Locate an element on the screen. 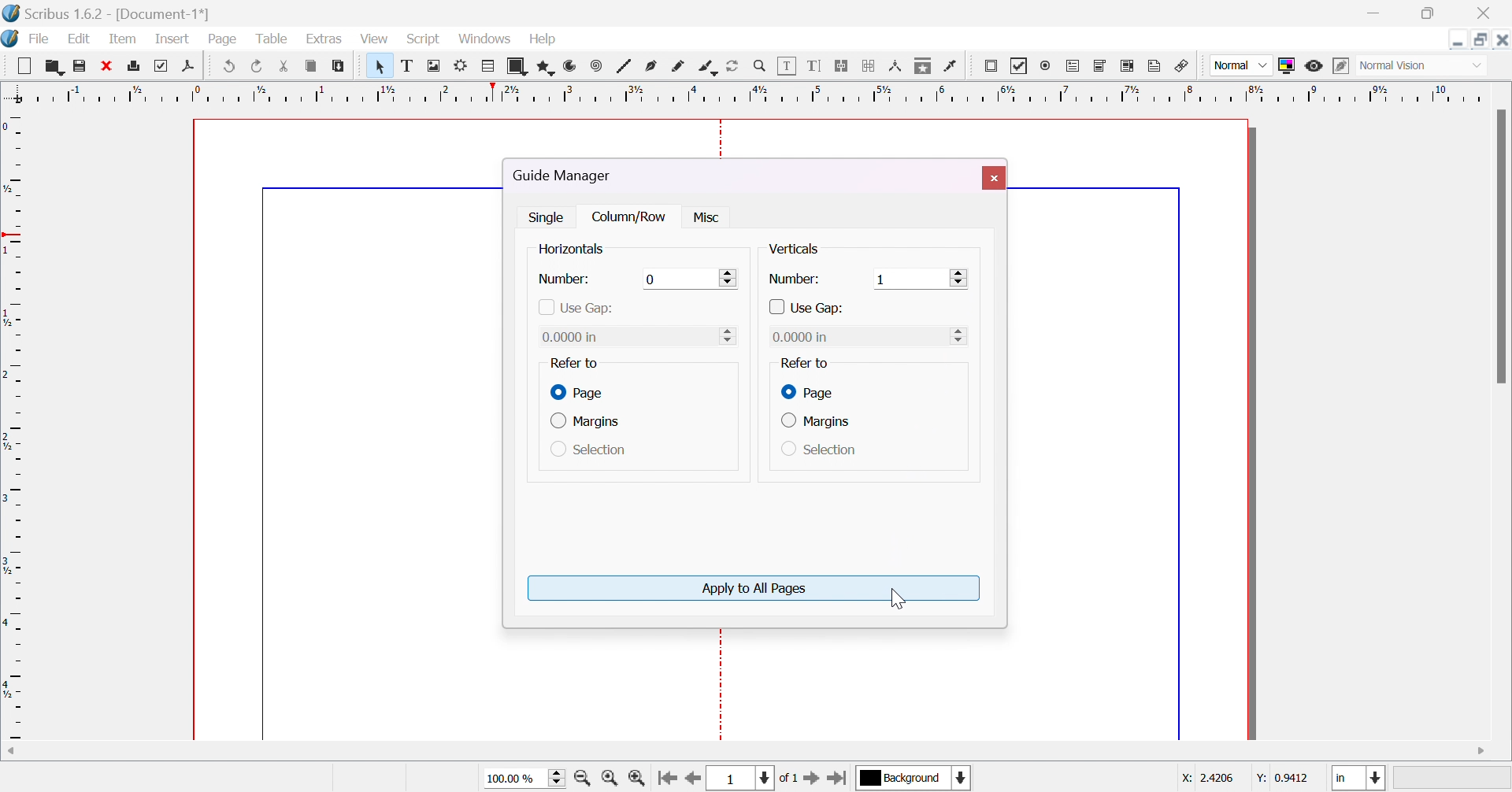 The image size is (1512, 792). Msc is located at coordinates (704, 218).